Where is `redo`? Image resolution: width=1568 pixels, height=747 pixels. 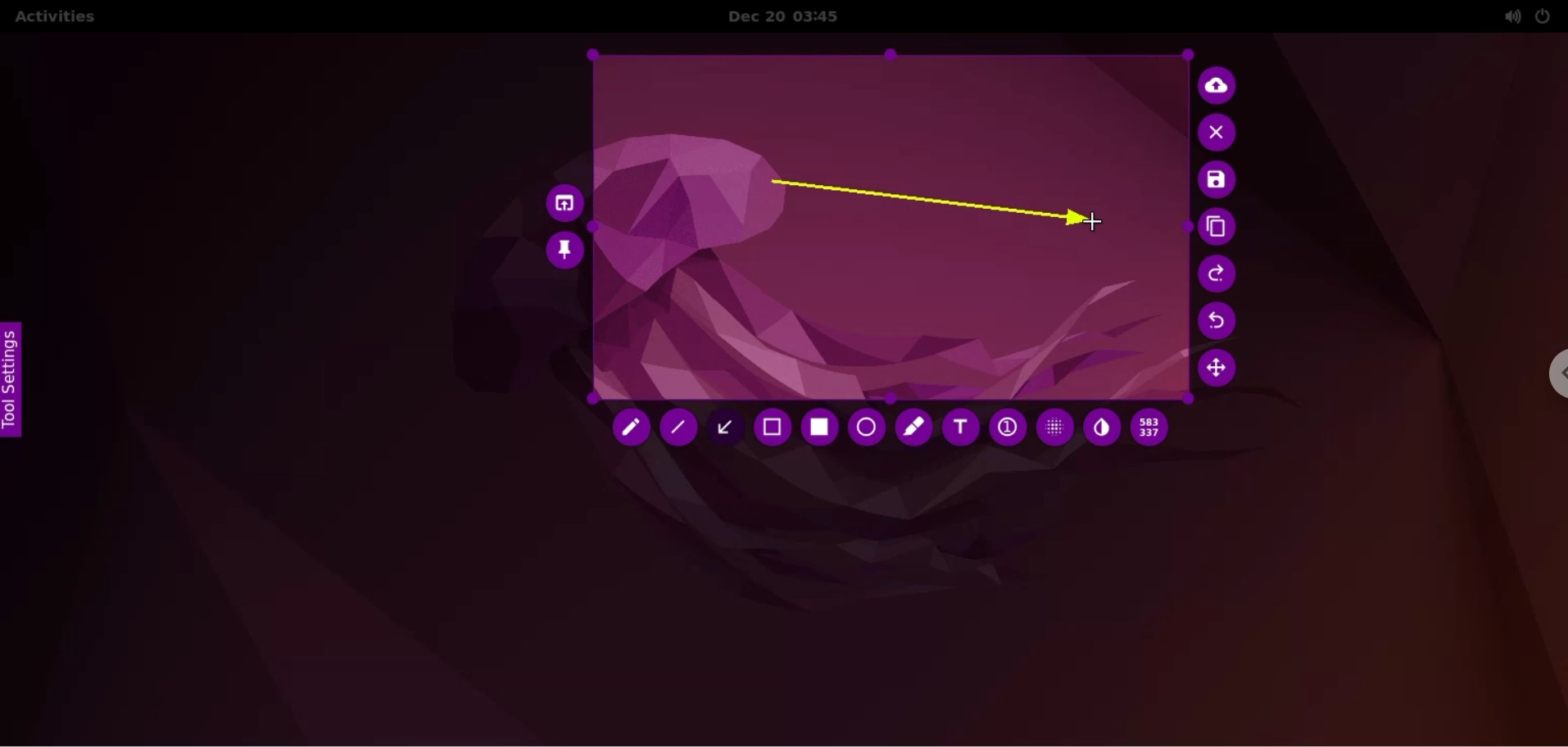
redo is located at coordinates (1220, 274).